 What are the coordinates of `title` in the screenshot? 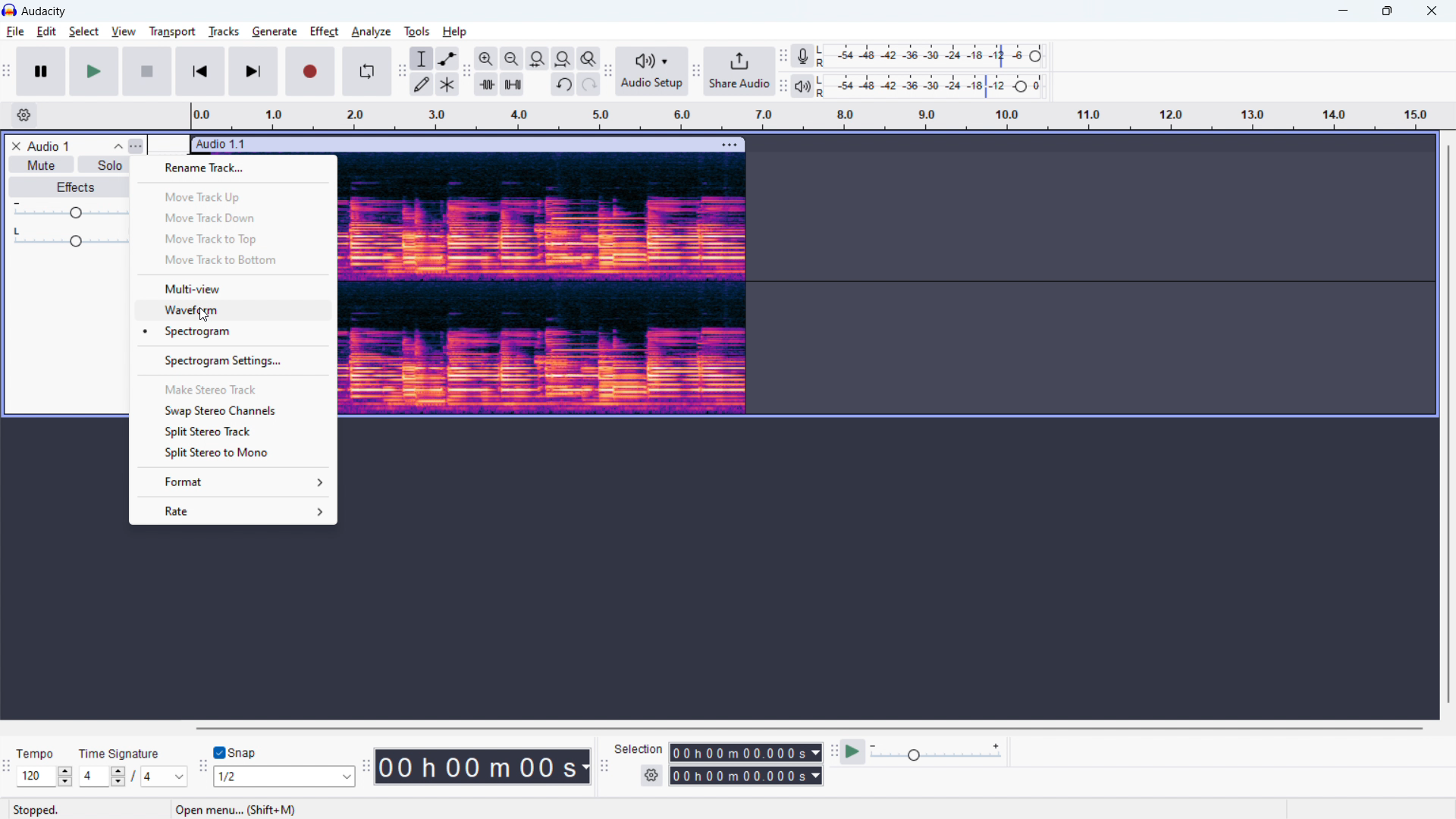 It's located at (45, 11).